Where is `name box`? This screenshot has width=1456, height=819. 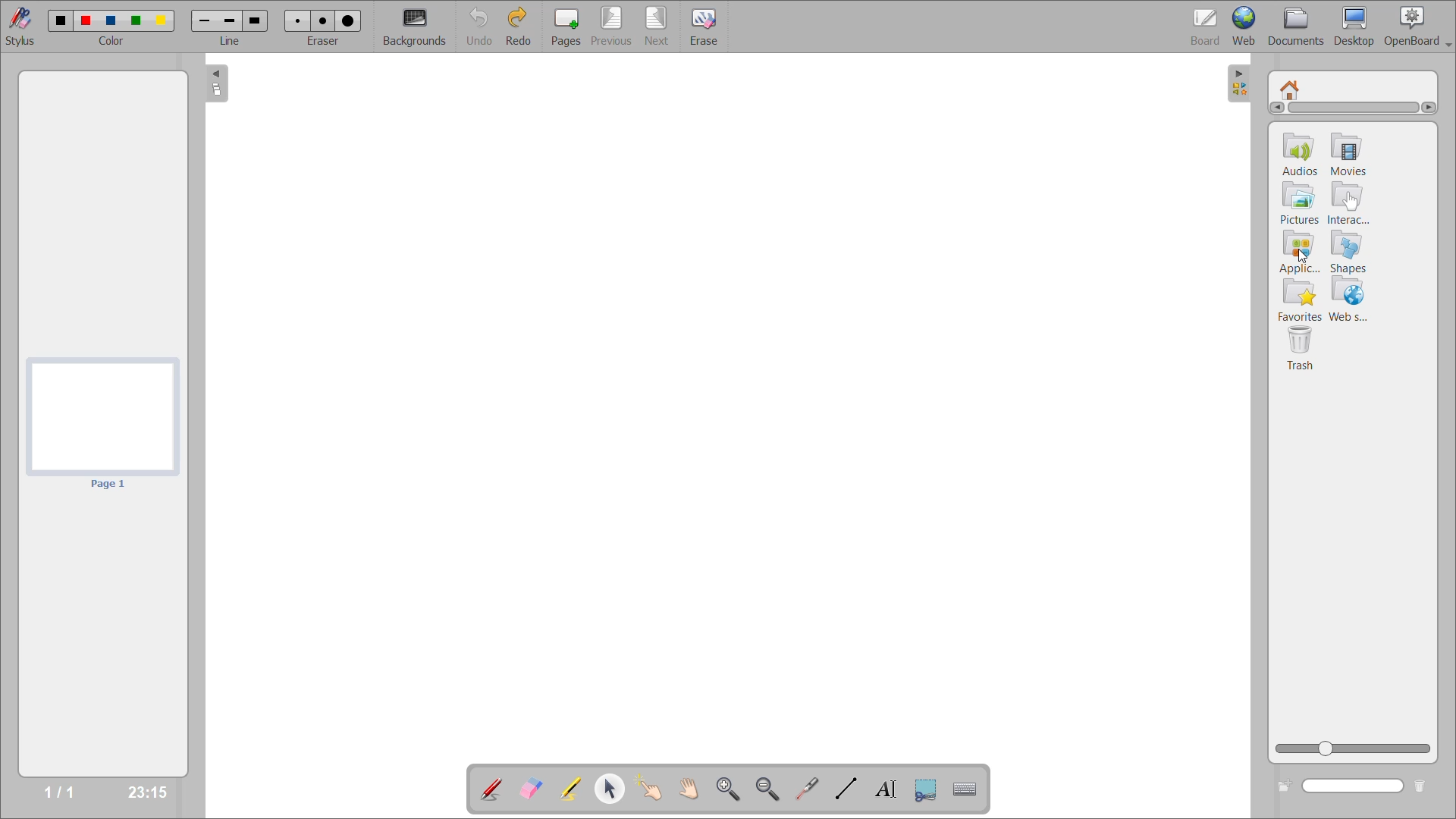 name box is located at coordinates (1354, 786).